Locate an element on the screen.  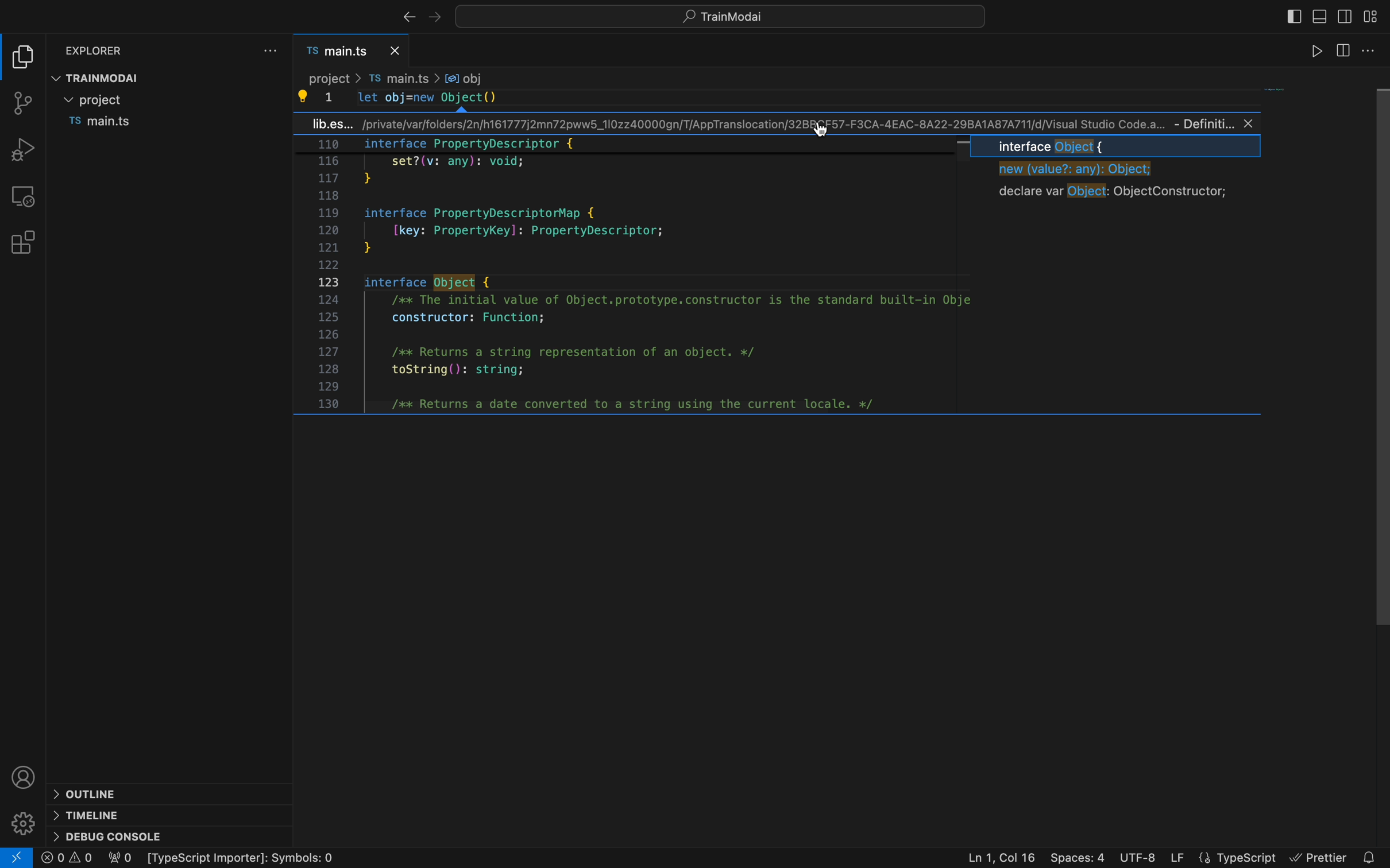
mini definition section is located at coordinates (779, 251).